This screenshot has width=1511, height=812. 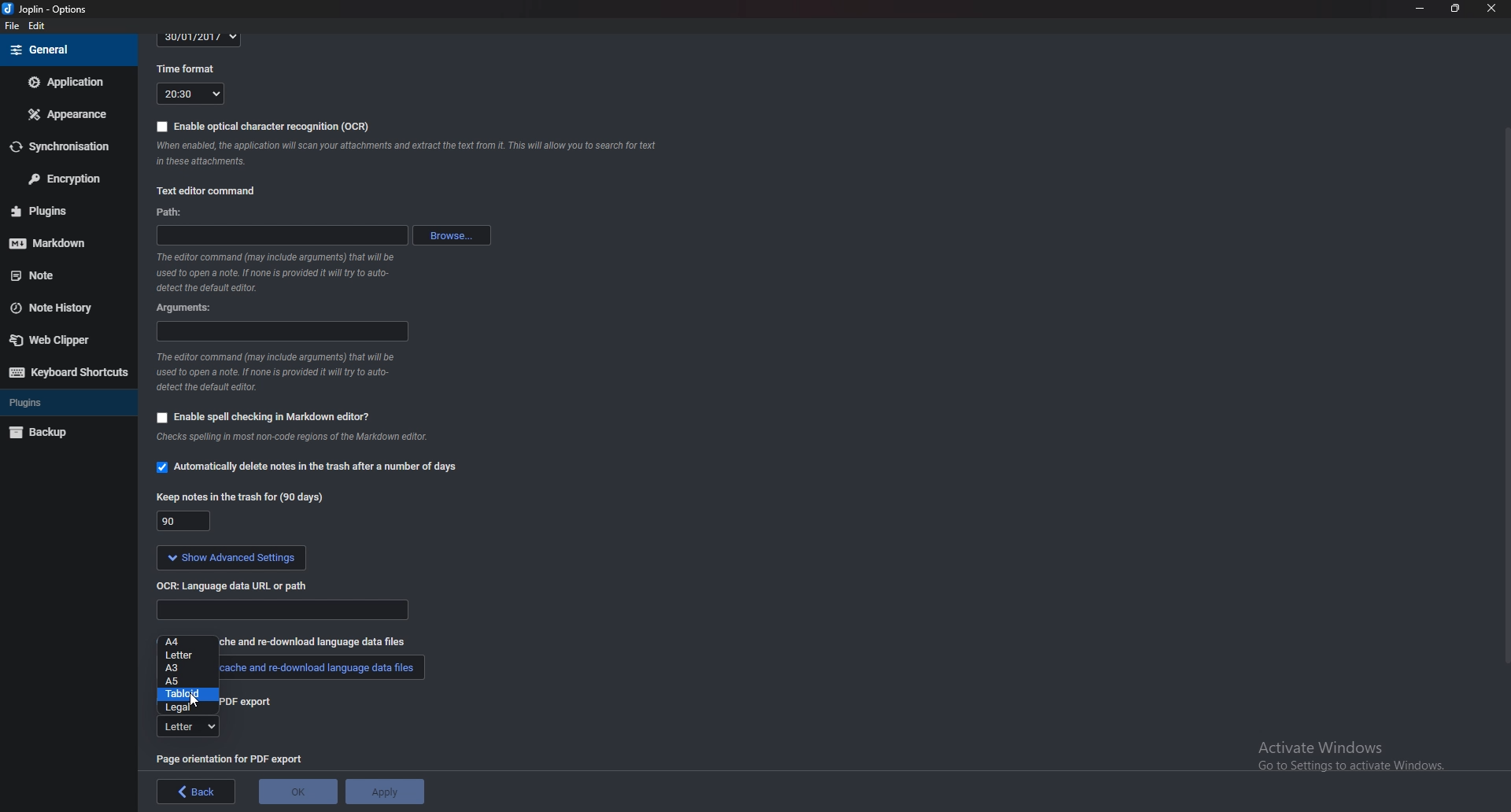 I want to click on Automatically delete notes, so click(x=310, y=465).